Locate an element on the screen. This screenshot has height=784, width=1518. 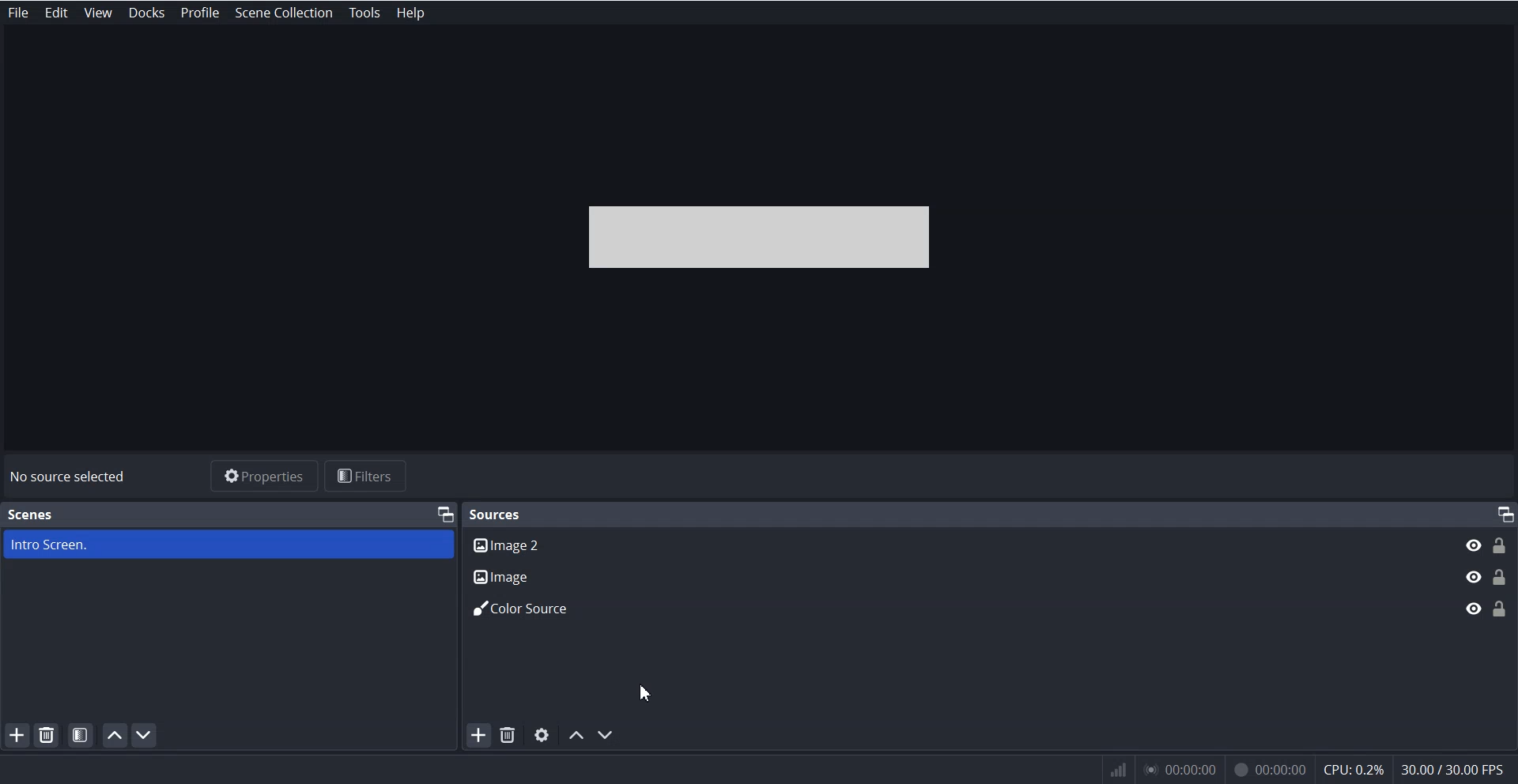
Image 2 is located at coordinates (954, 544).